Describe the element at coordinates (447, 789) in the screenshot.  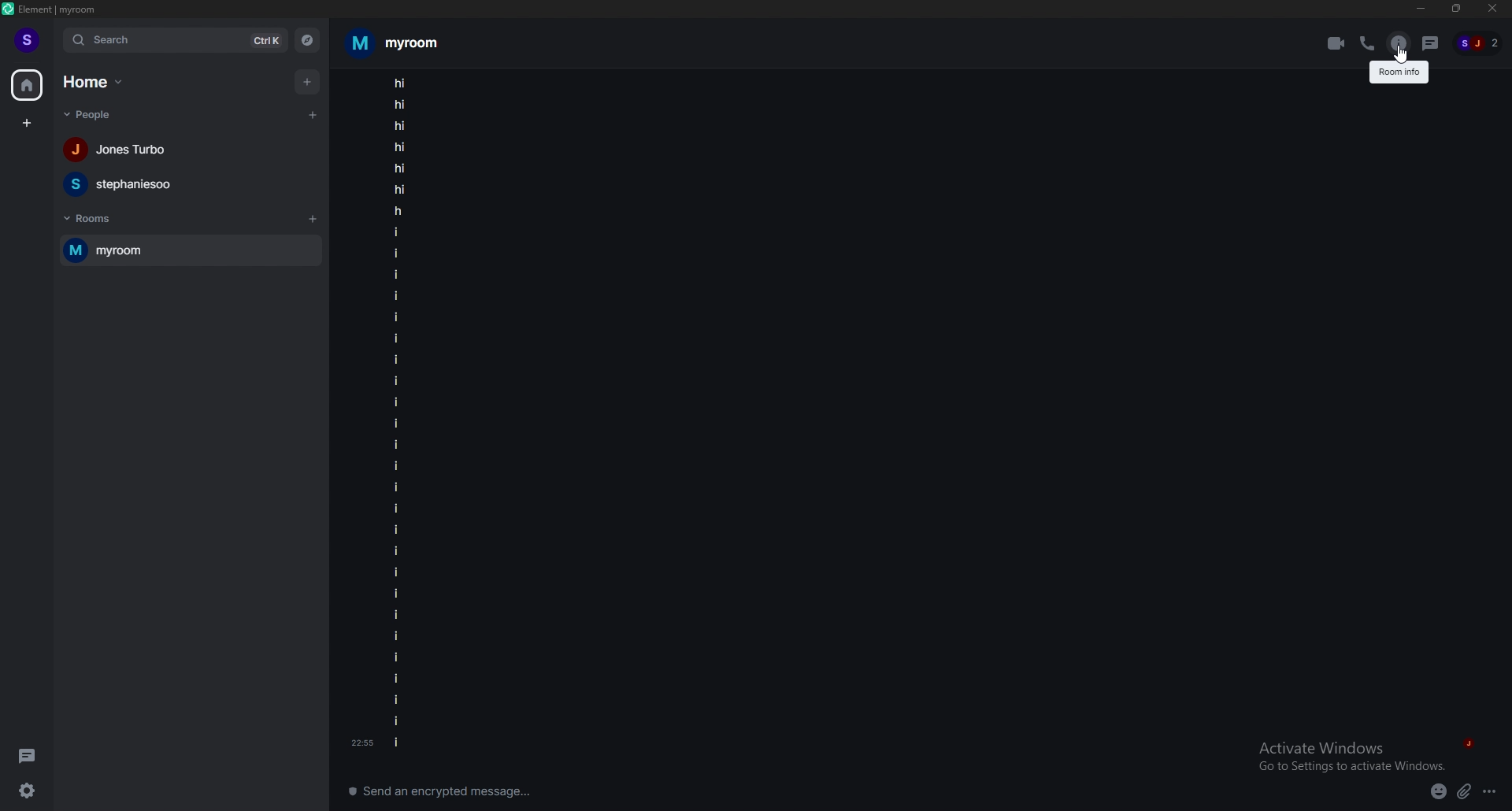
I see `message box` at that location.